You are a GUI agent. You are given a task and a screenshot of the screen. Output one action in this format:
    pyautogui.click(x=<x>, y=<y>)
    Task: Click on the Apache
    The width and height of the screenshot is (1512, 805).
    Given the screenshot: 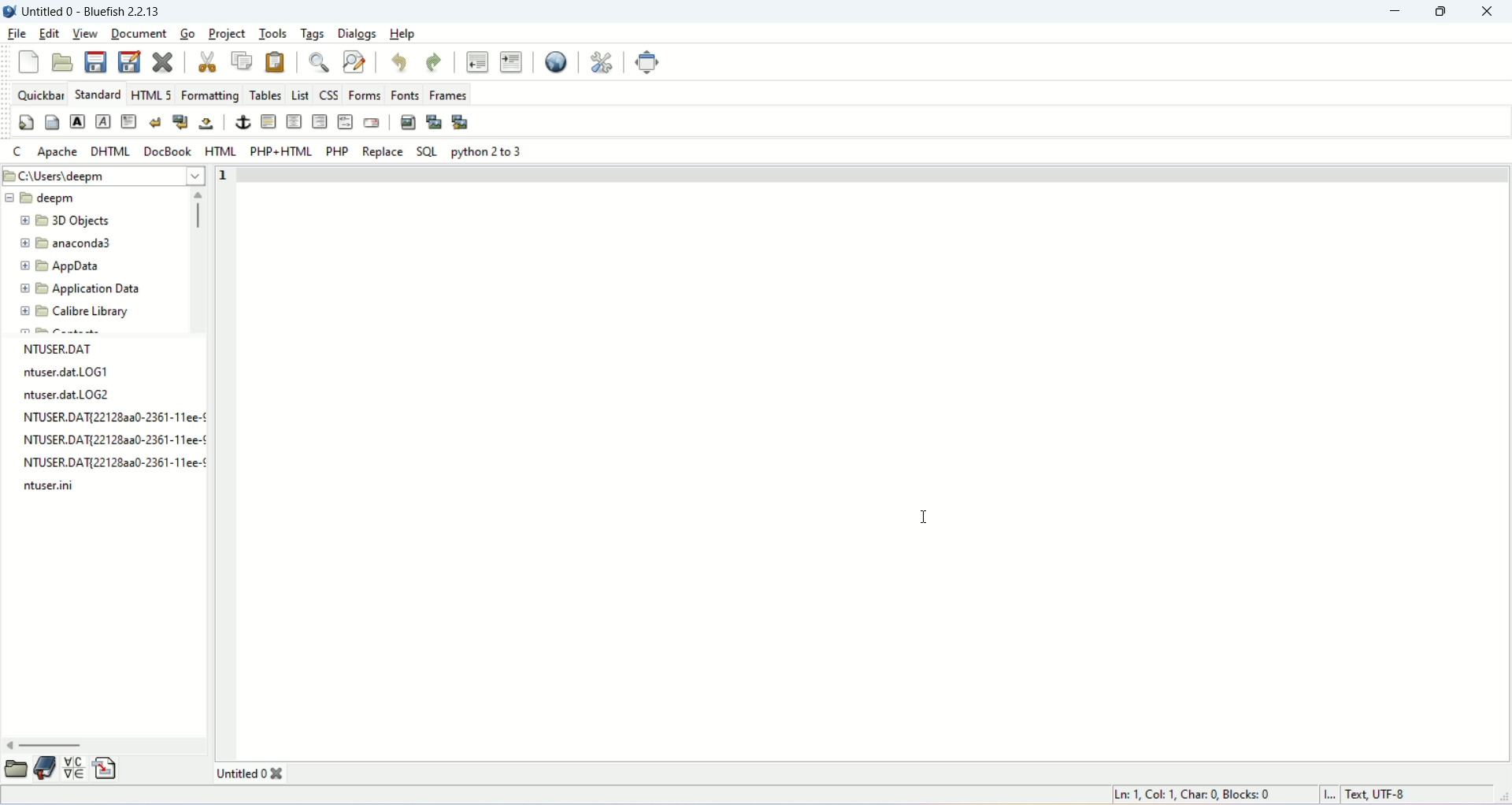 What is the action you would take?
    pyautogui.click(x=55, y=150)
    